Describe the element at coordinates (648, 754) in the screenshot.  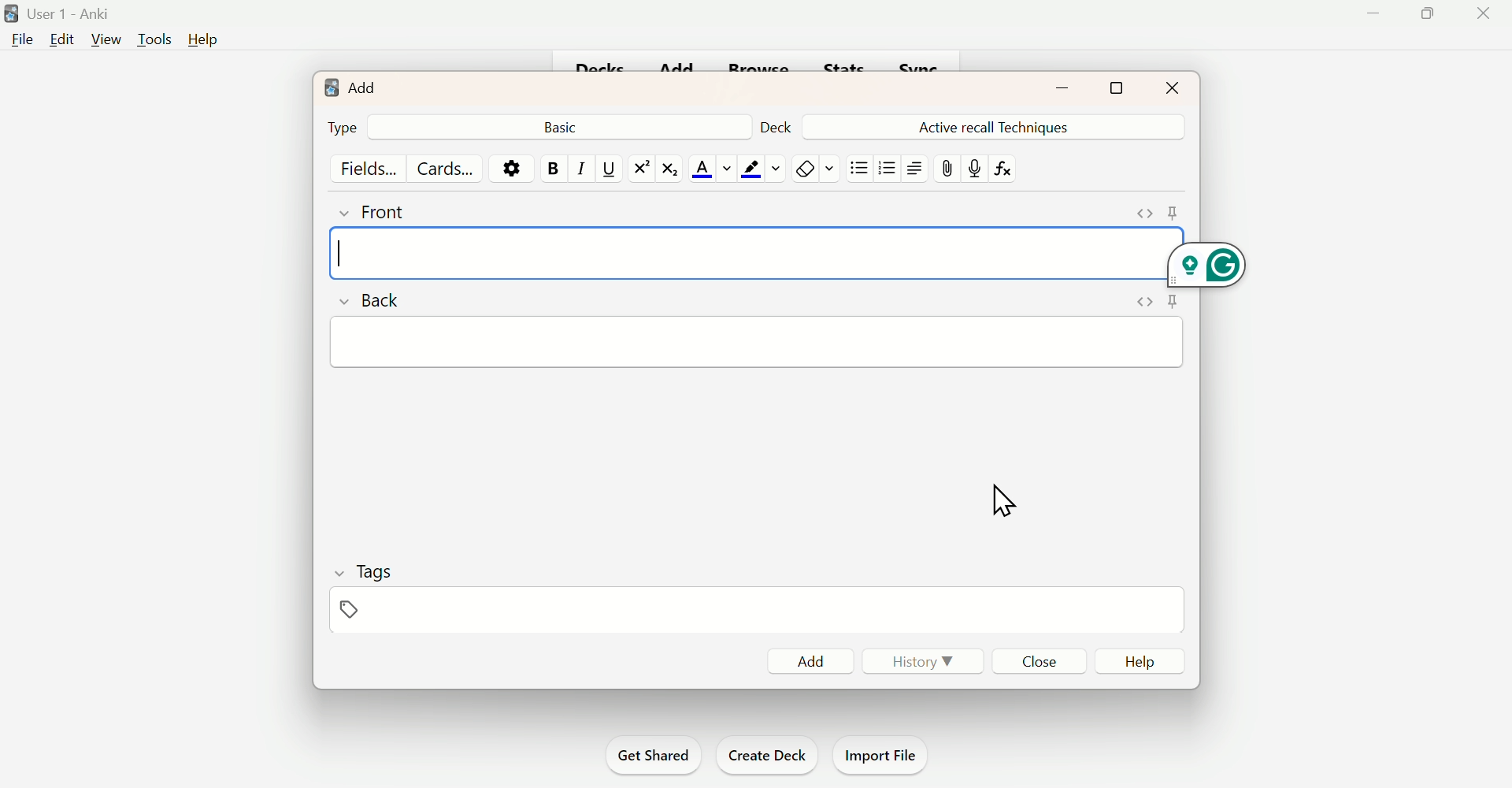
I see `Get Shared` at that location.